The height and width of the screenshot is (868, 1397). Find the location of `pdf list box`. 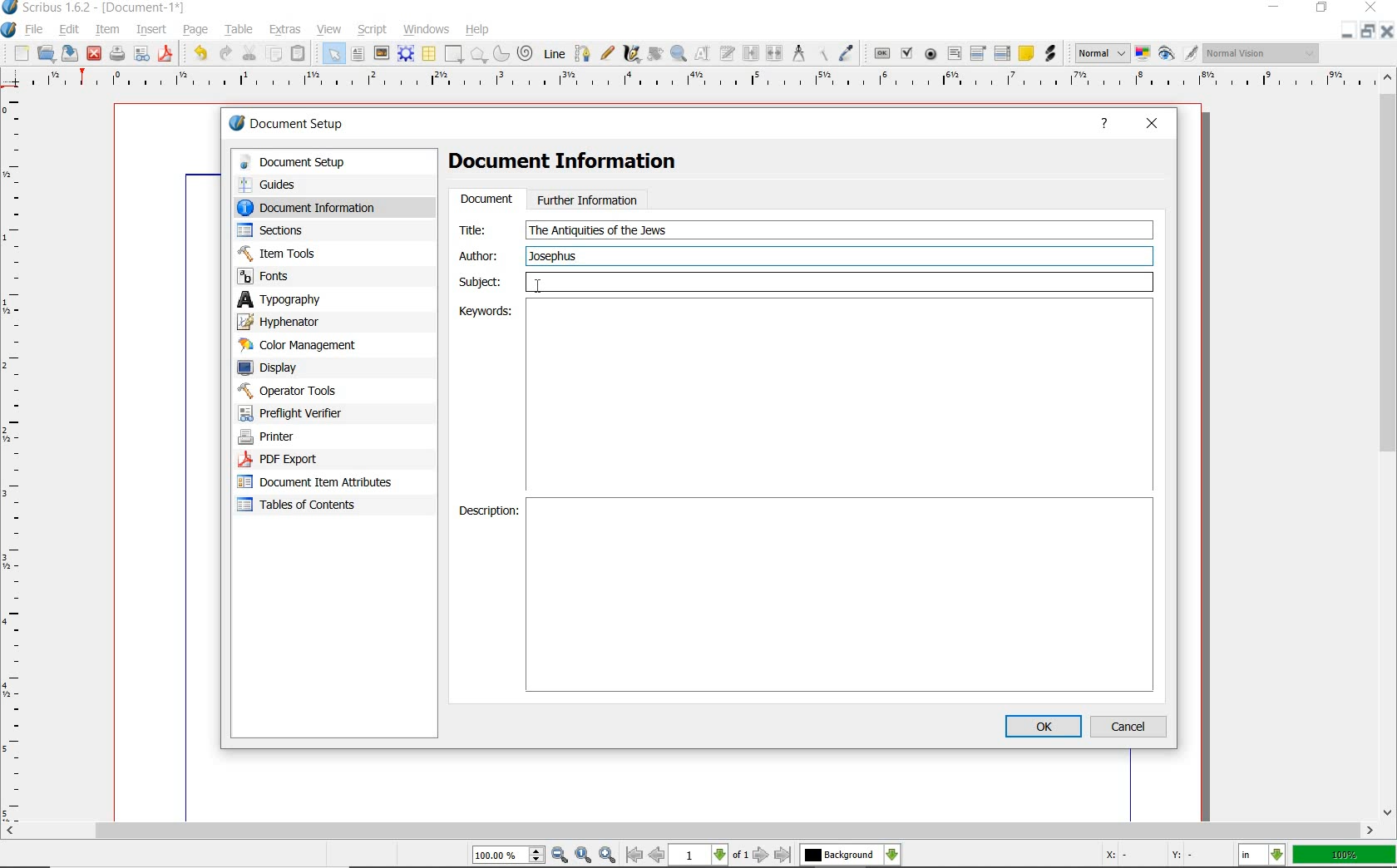

pdf list box is located at coordinates (1001, 53).